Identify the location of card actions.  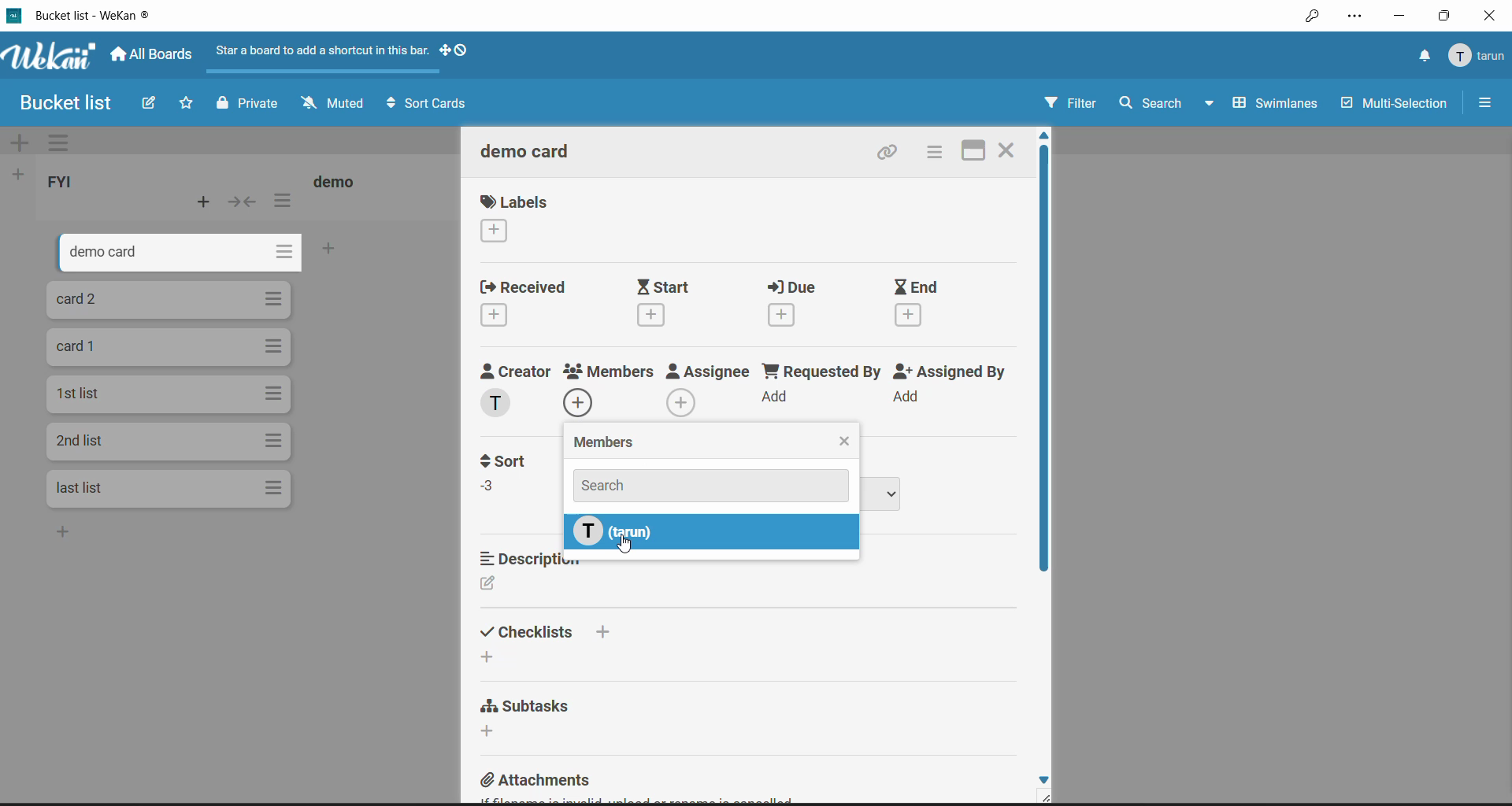
(274, 346).